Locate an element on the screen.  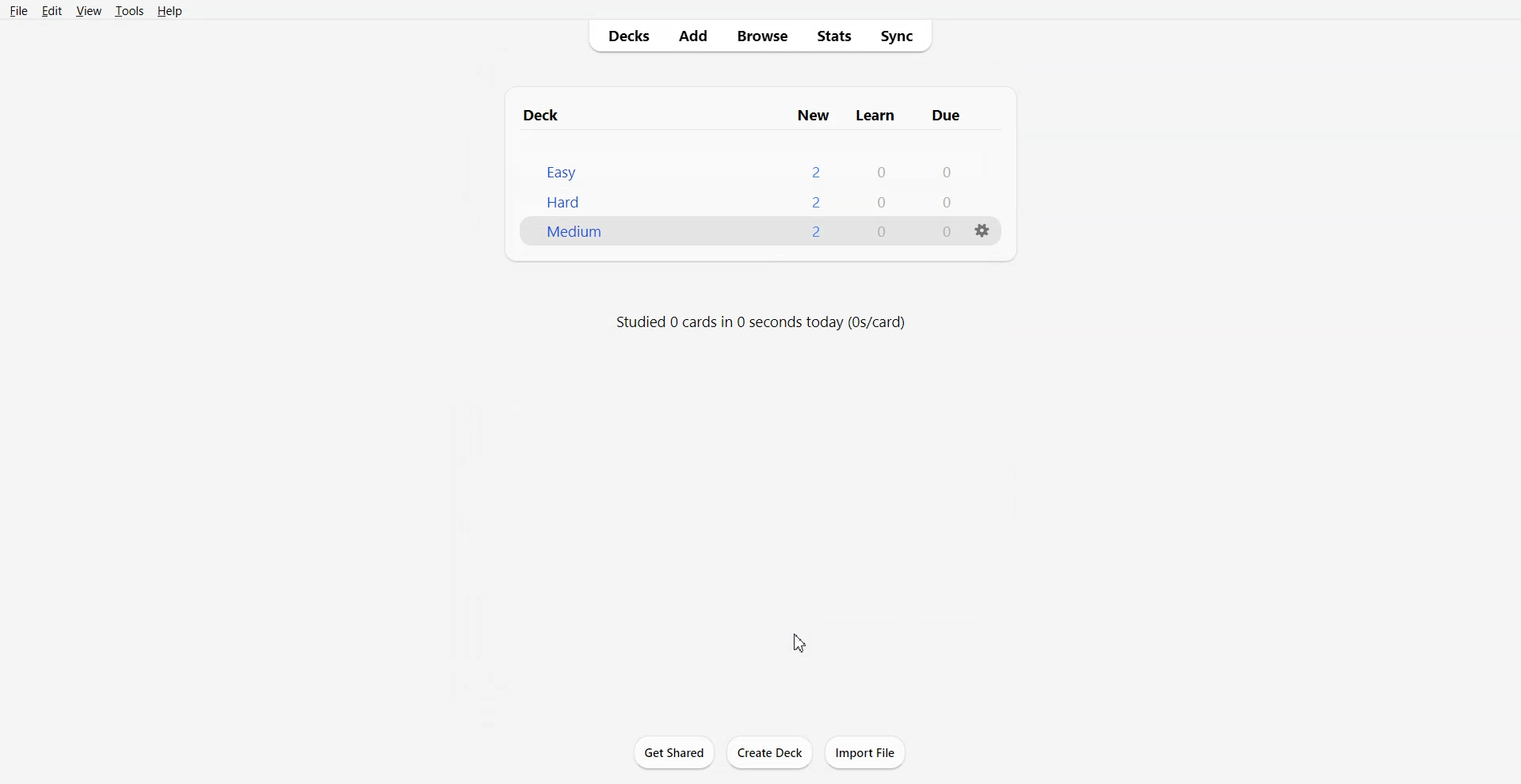
New Deck File is located at coordinates (738, 234).